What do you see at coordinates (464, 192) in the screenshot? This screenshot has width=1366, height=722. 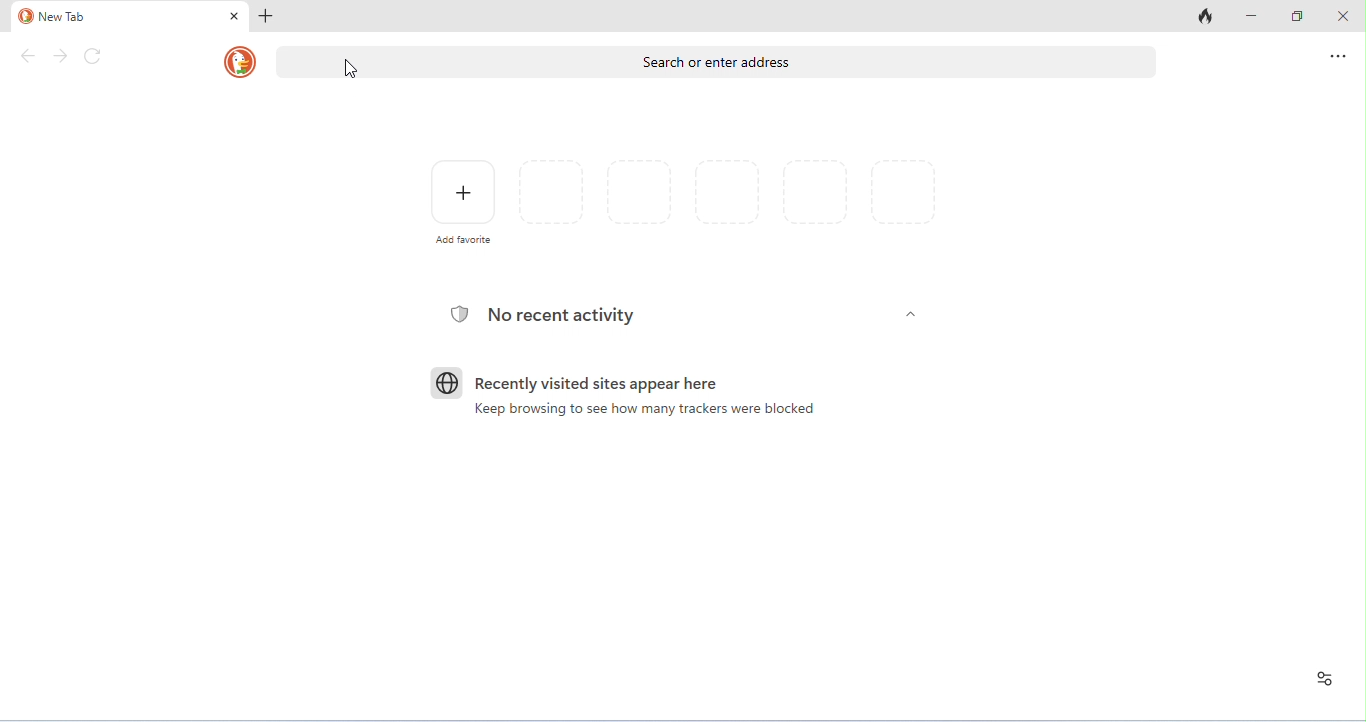 I see `add favorite` at bounding box center [464, 192].